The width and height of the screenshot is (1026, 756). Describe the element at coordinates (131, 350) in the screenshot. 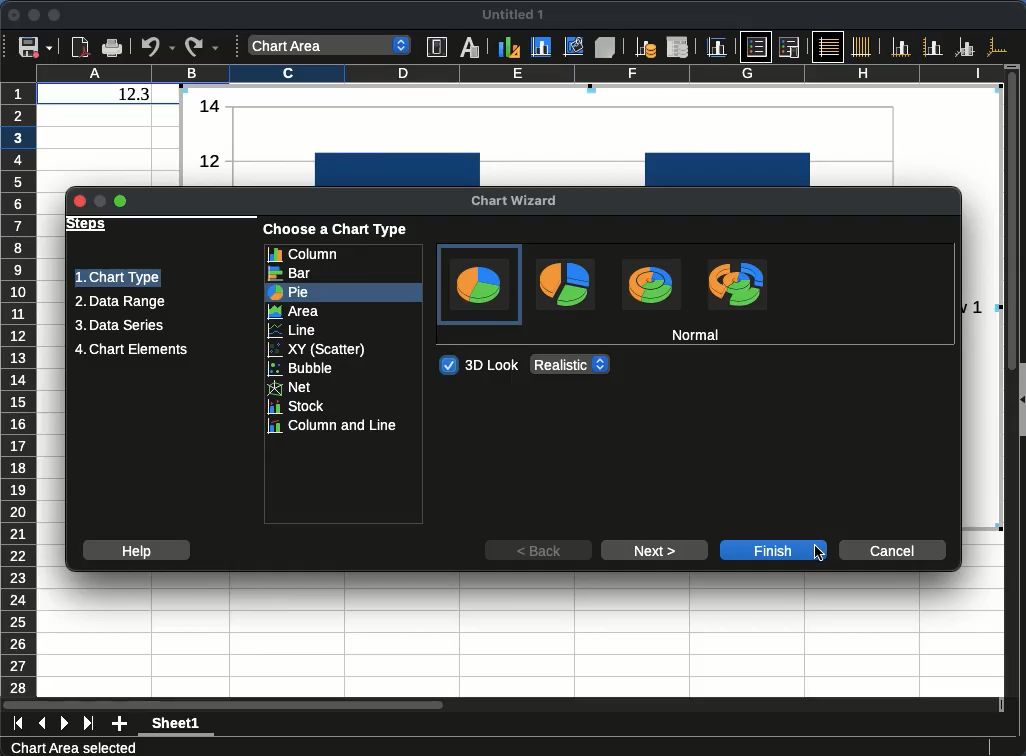

I see `chart elements` at that location.